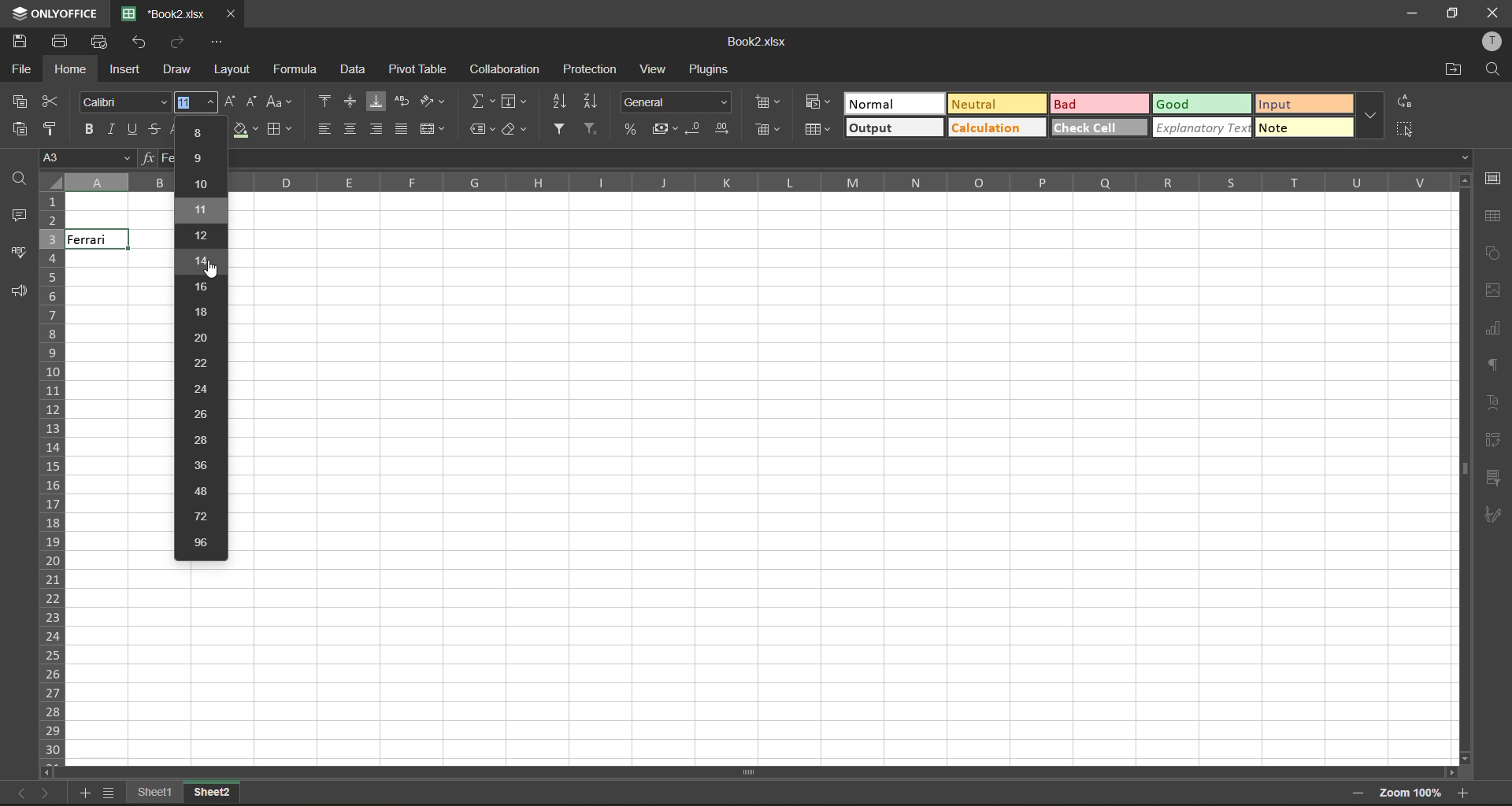 The image size is (1512, 806). What do you see at coordinates (232, 69) in the screenshot?
I see `layout` at bounding box center [232, 69].